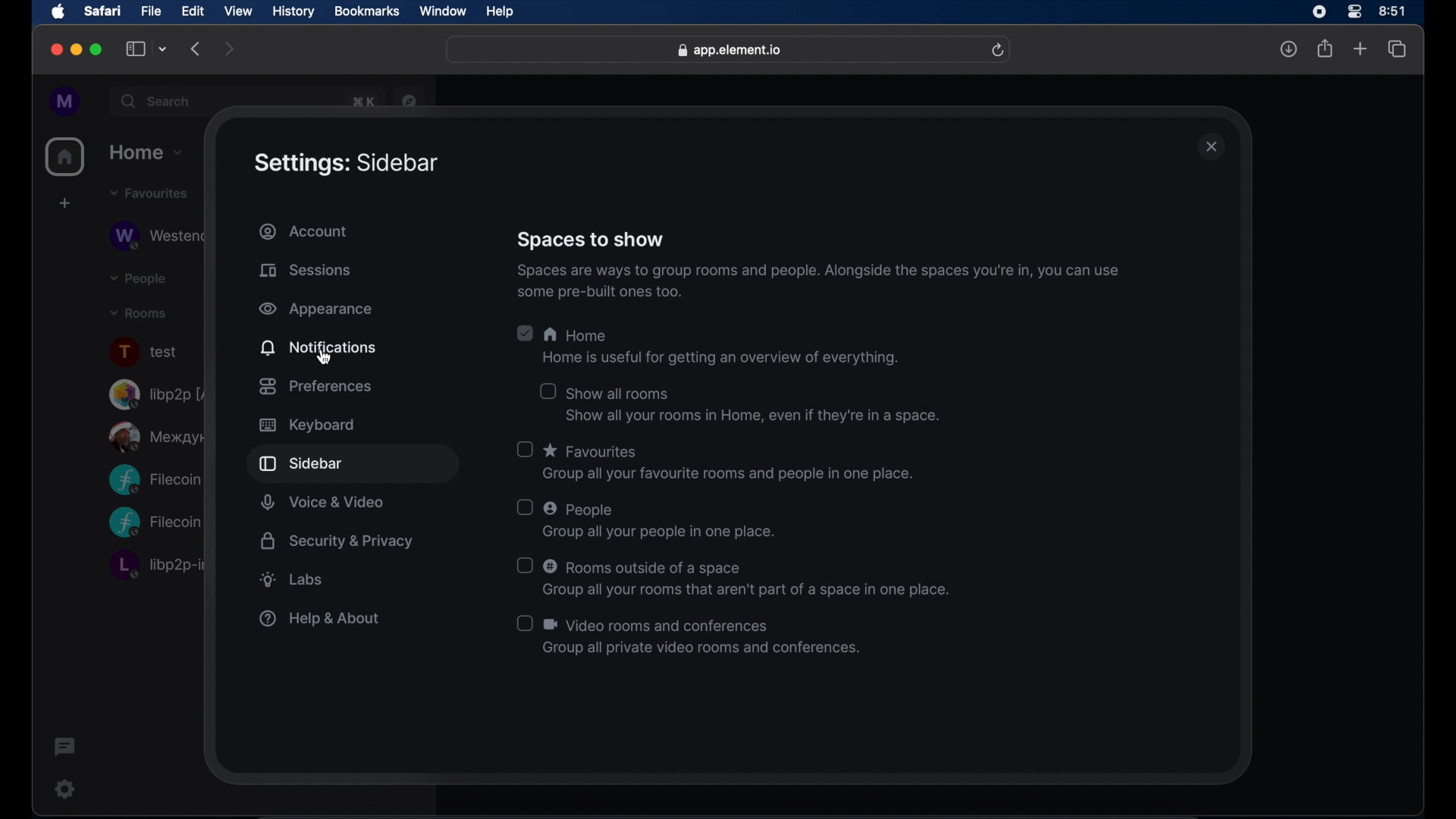 The image size is (1456, 819). I want to click on forward, so click(231, 49).